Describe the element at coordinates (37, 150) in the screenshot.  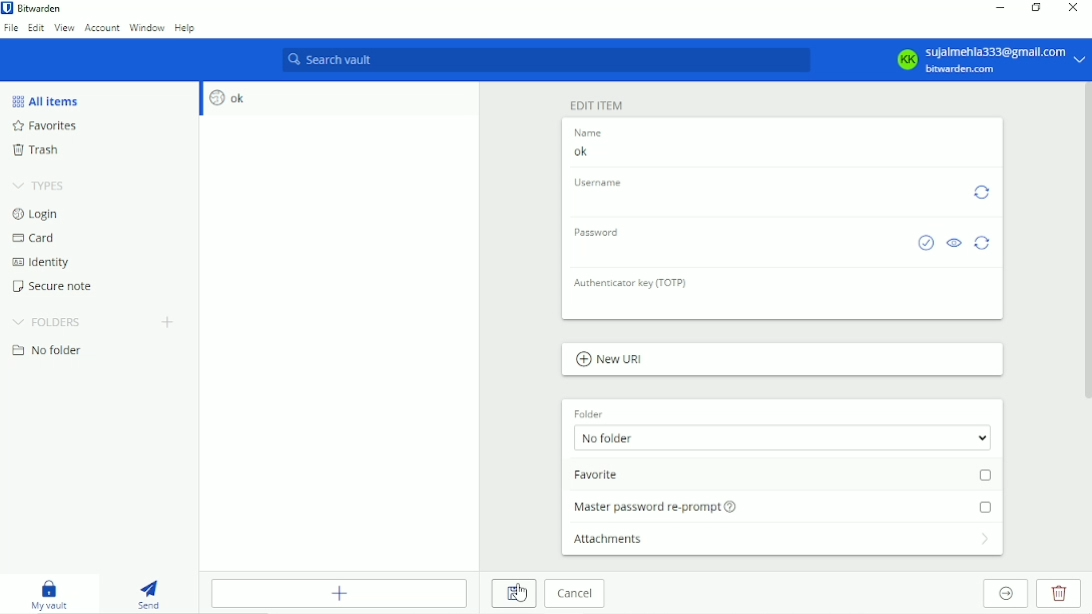
I see `Trash` at that location.